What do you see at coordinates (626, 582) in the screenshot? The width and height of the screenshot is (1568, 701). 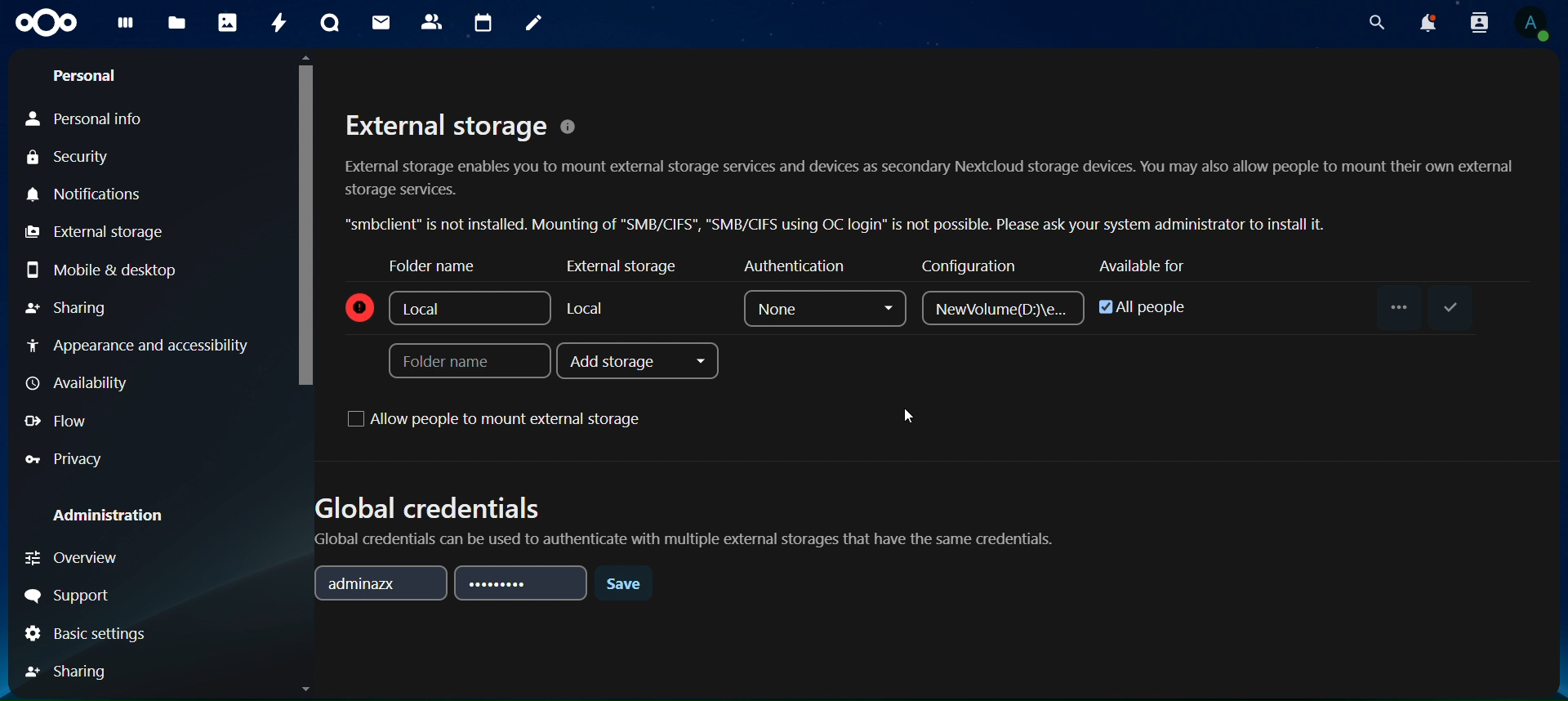 I see `save` at bounding box center [626, 582].